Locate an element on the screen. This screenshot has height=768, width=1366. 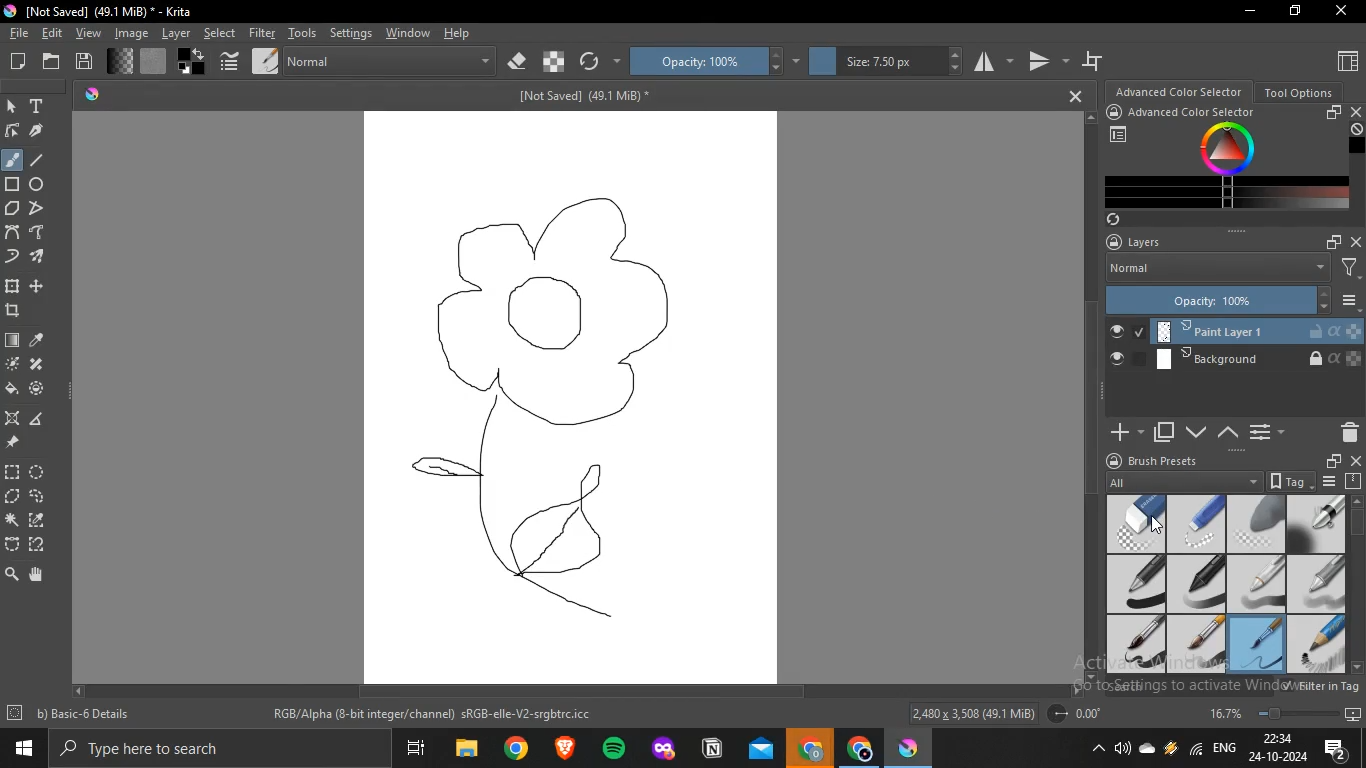
Application is located at coordinates (810, 746).